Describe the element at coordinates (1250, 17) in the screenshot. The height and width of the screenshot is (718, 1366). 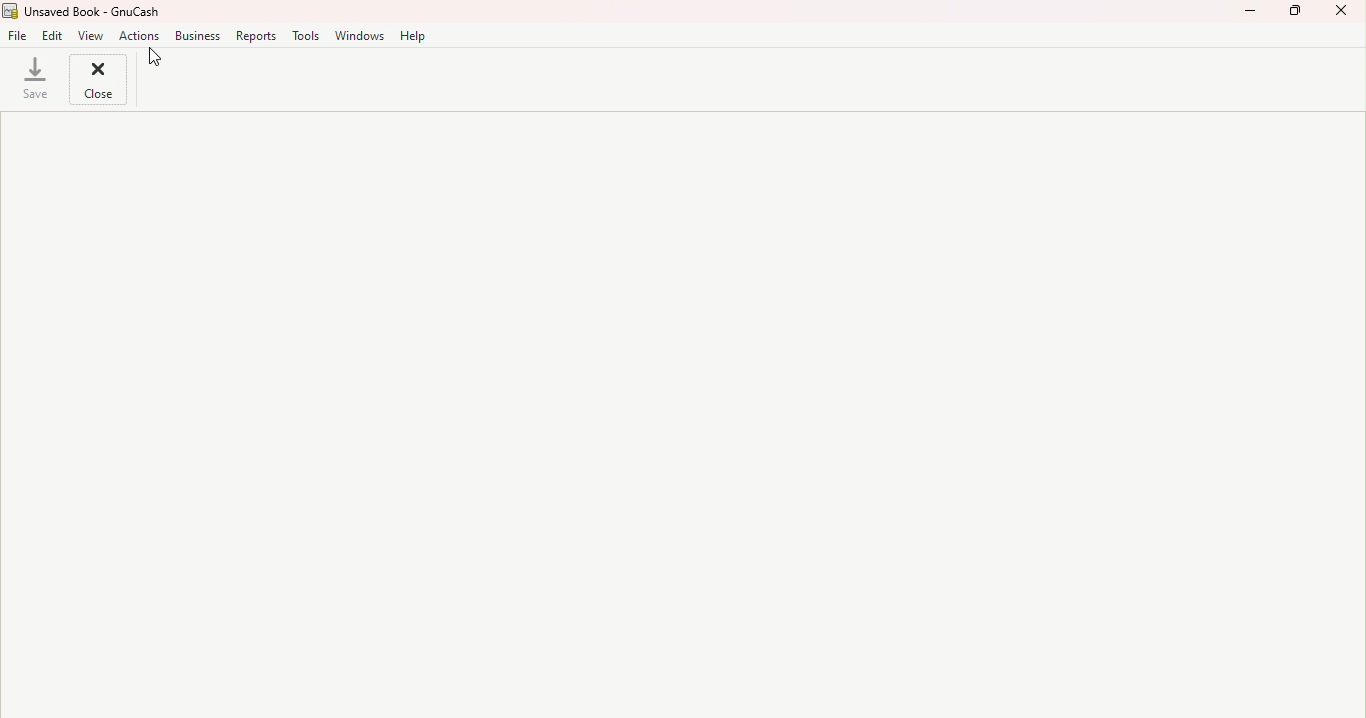
I see `Minimize` at that location.